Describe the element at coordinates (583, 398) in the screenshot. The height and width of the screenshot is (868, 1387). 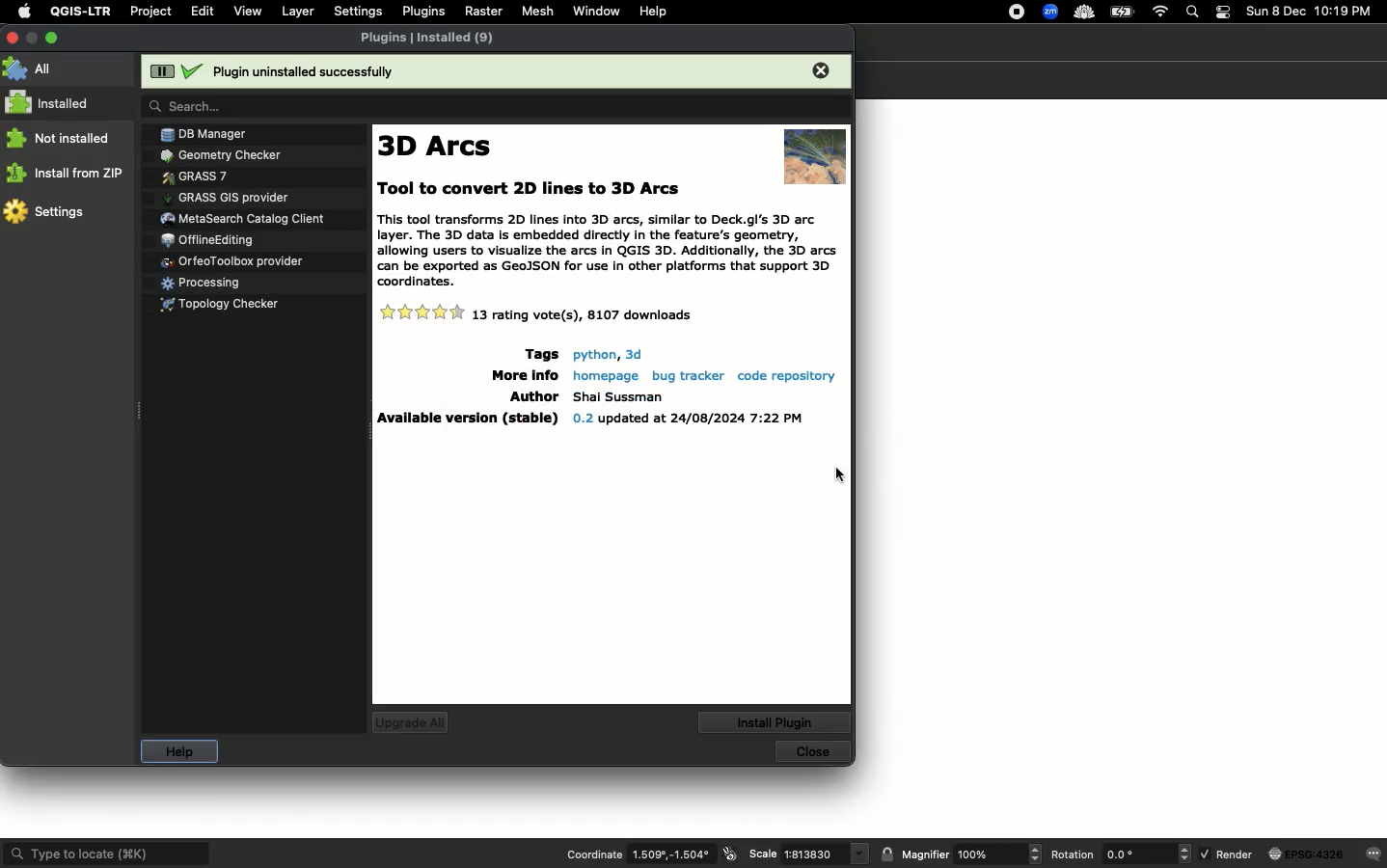
I see `Details` at that location.